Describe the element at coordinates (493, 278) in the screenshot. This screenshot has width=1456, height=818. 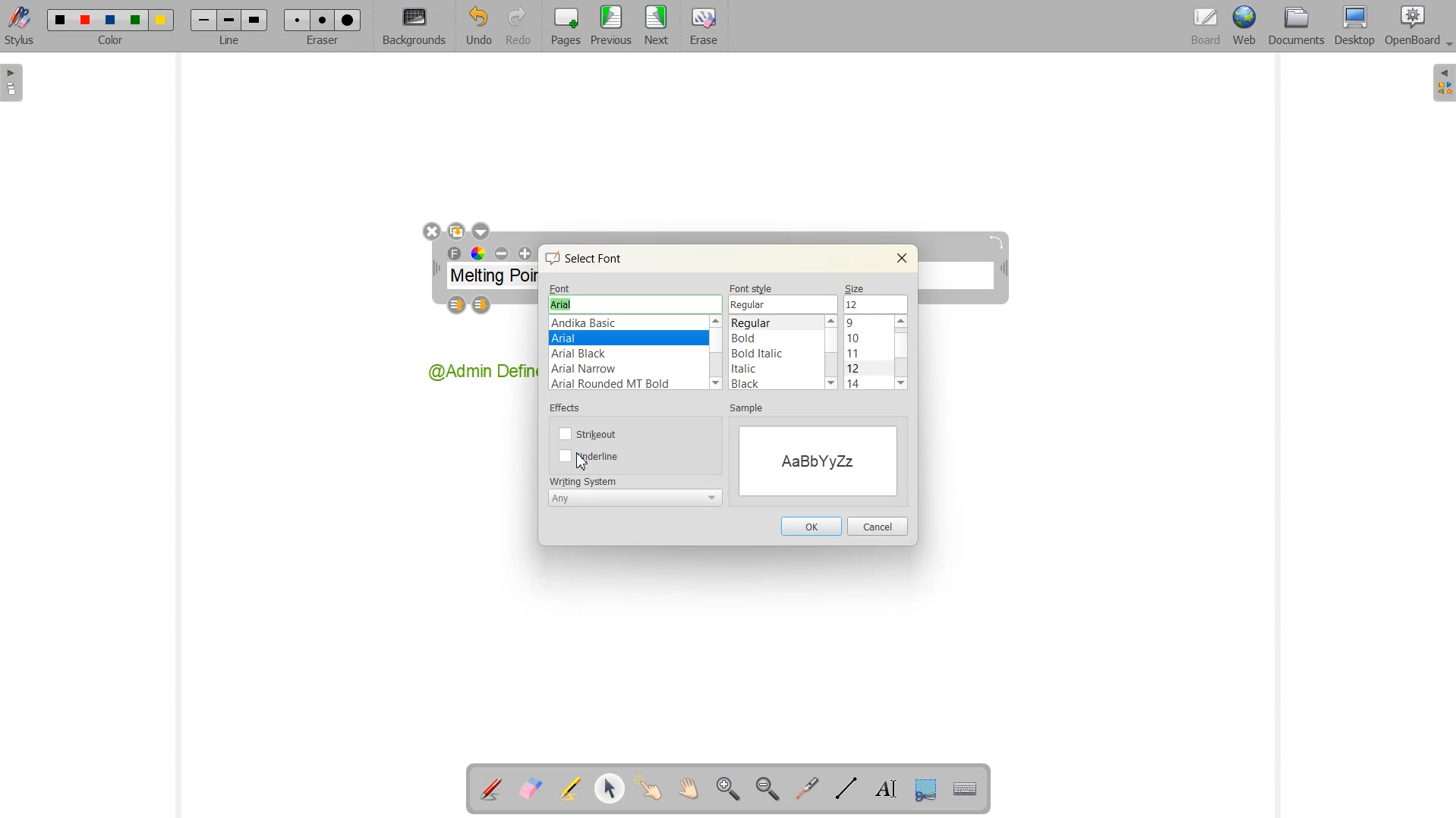
I see `Melting Point` at that location.